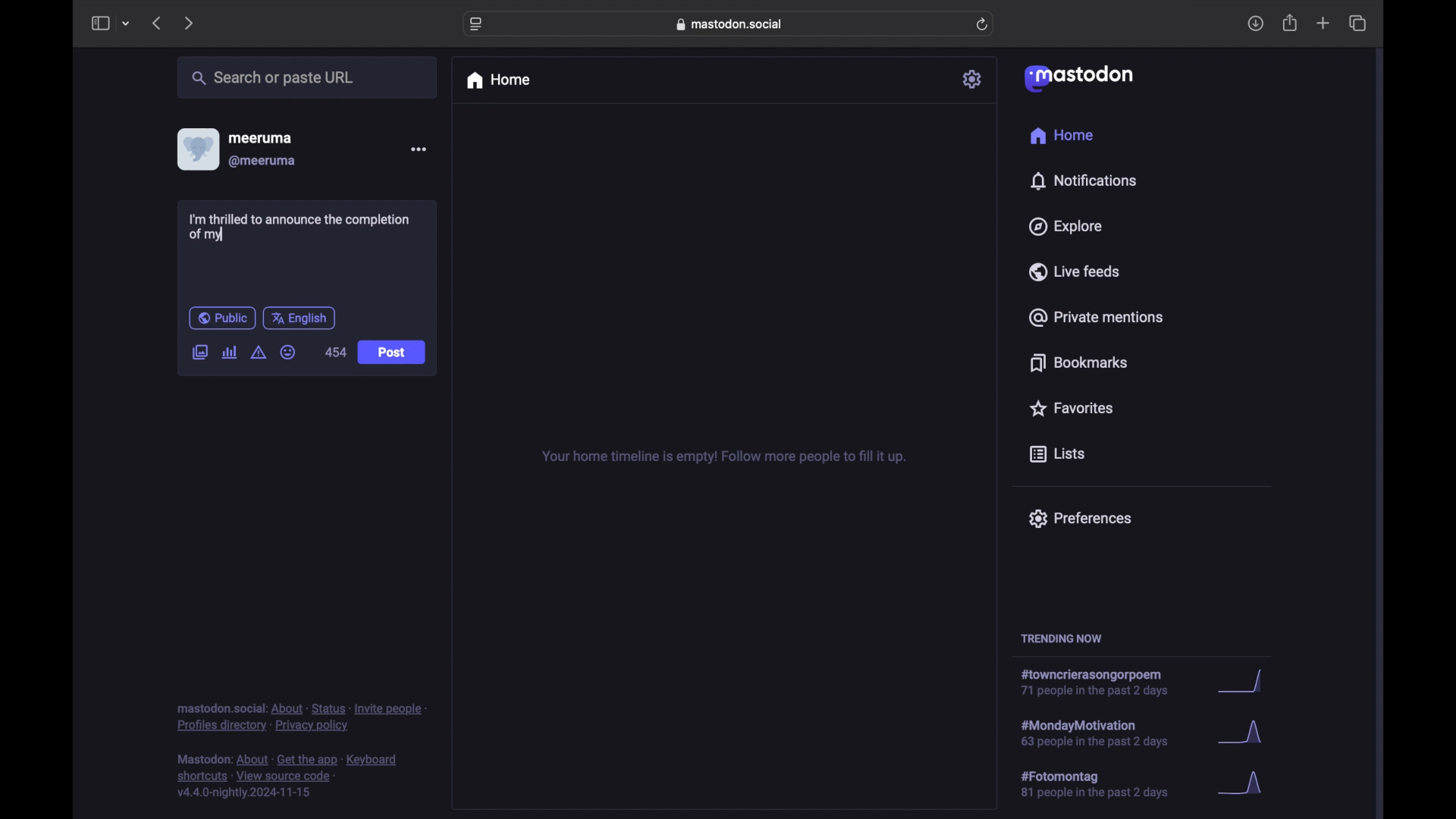 The width and height of the screenshot is (1456, 819). What do you see at coordinates (1083, 181) in the screenshot?
I see `notifications` at bounding box center [1083, 181].